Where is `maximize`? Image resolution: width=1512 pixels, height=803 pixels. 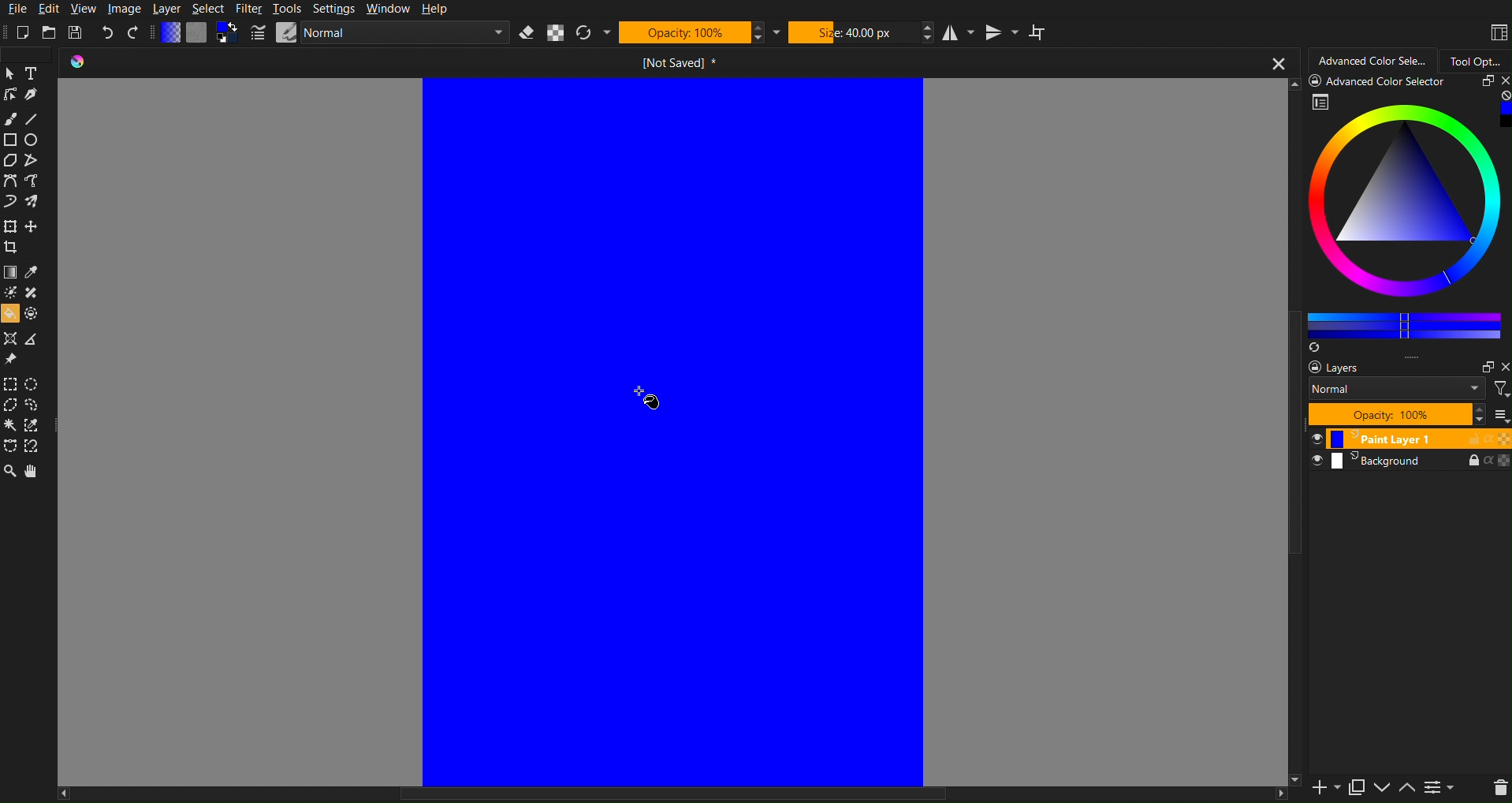 maximize is located at coordinates (1480, 81).